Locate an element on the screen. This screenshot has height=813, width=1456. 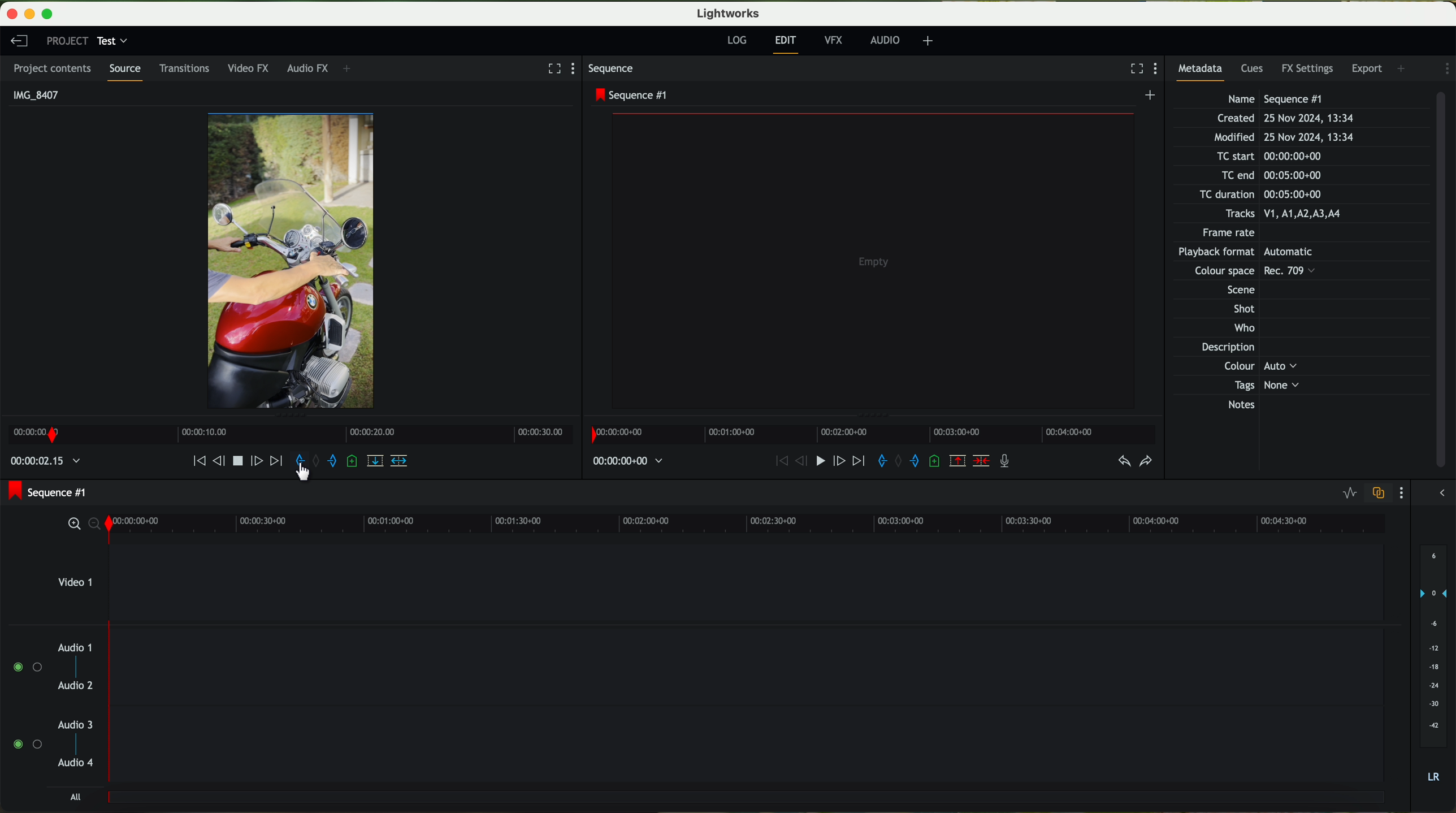
add a cue at the current position is located at coordinates (353, 462).